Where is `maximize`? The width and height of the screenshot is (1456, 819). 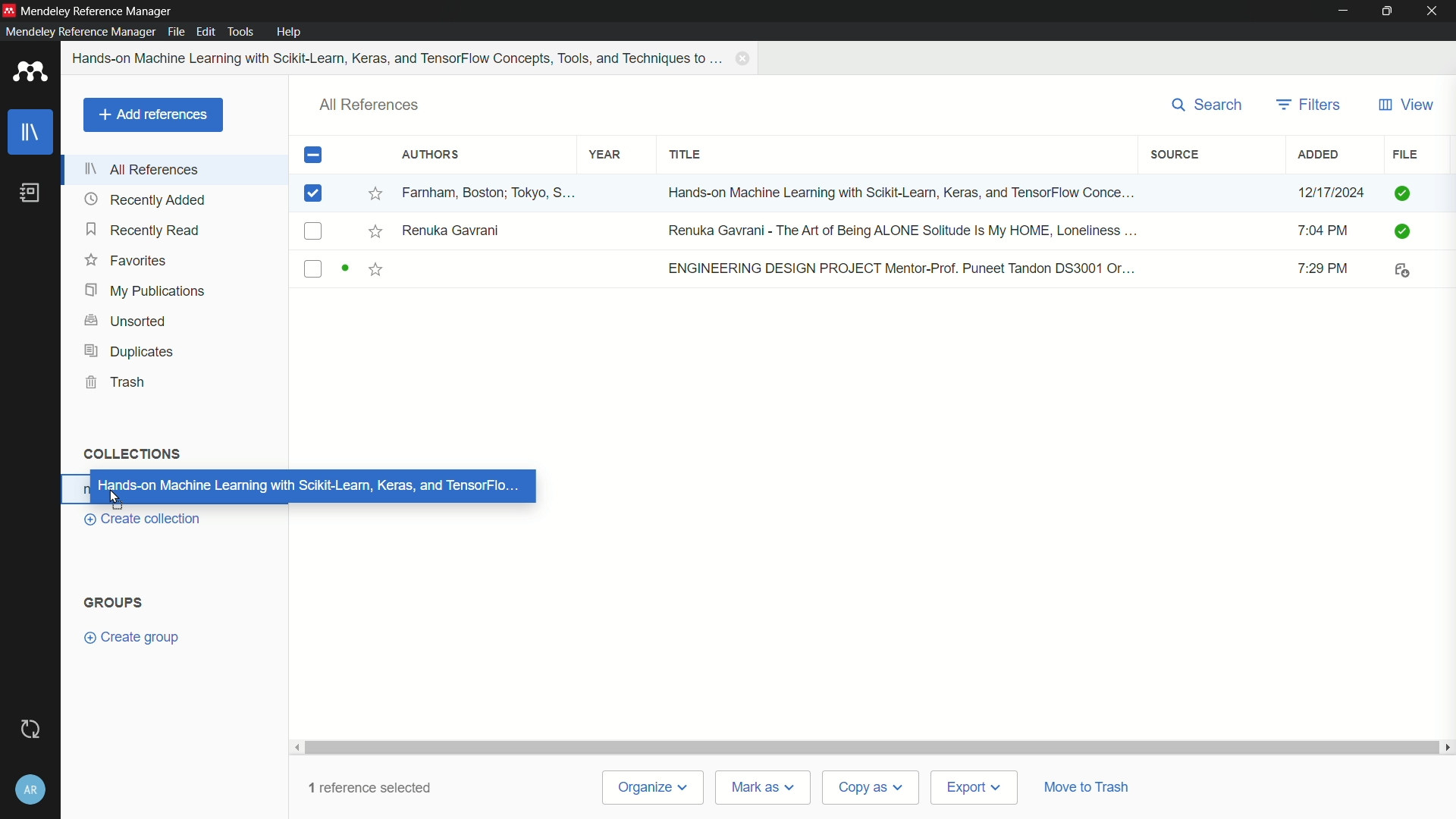 maximize is located at coordinates (1391, 11).